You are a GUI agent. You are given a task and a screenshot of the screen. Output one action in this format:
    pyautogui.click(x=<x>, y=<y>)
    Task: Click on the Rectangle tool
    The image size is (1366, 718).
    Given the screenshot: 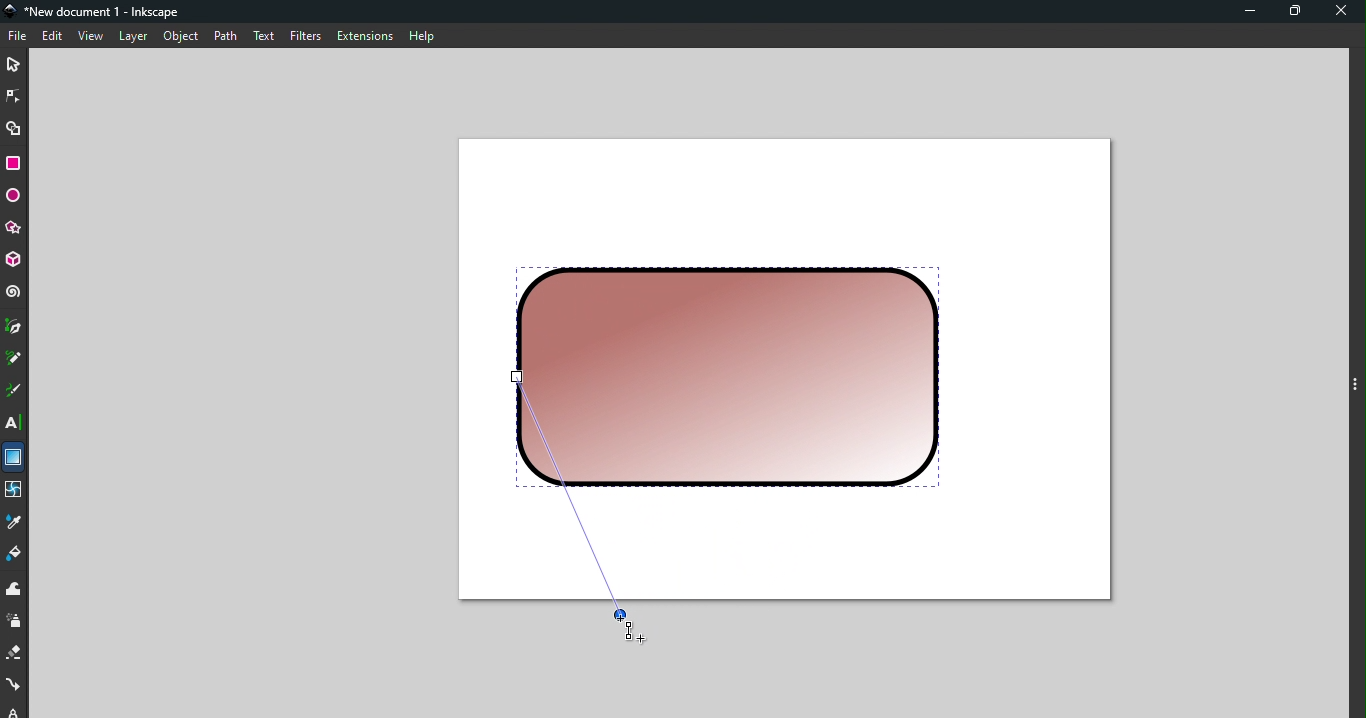 What is the action you would take?
    pyautogui.click(x=17, y=163)
    